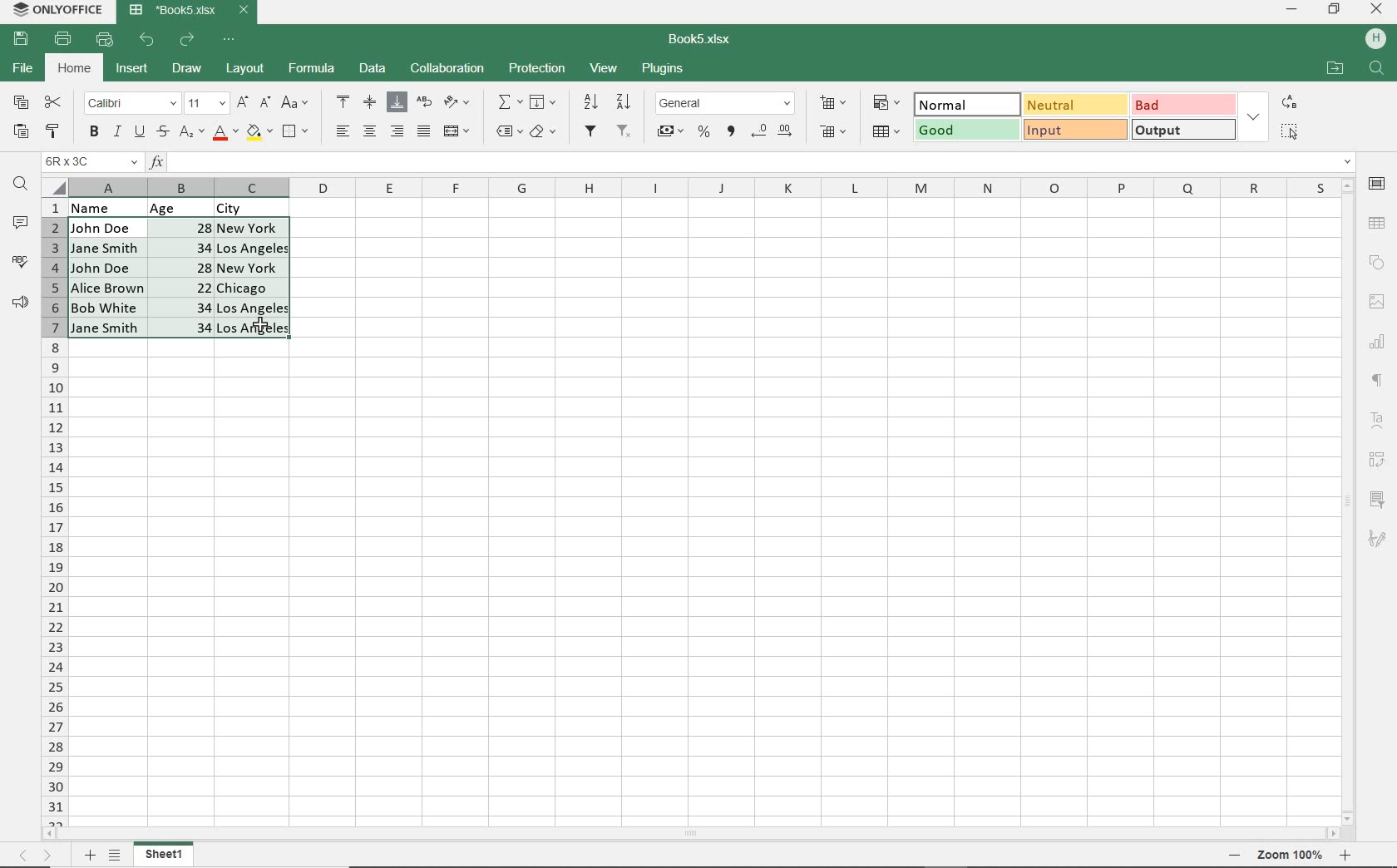 The image size is (1397, 868). I want to click on FILL COLOR, so click(259, 131).